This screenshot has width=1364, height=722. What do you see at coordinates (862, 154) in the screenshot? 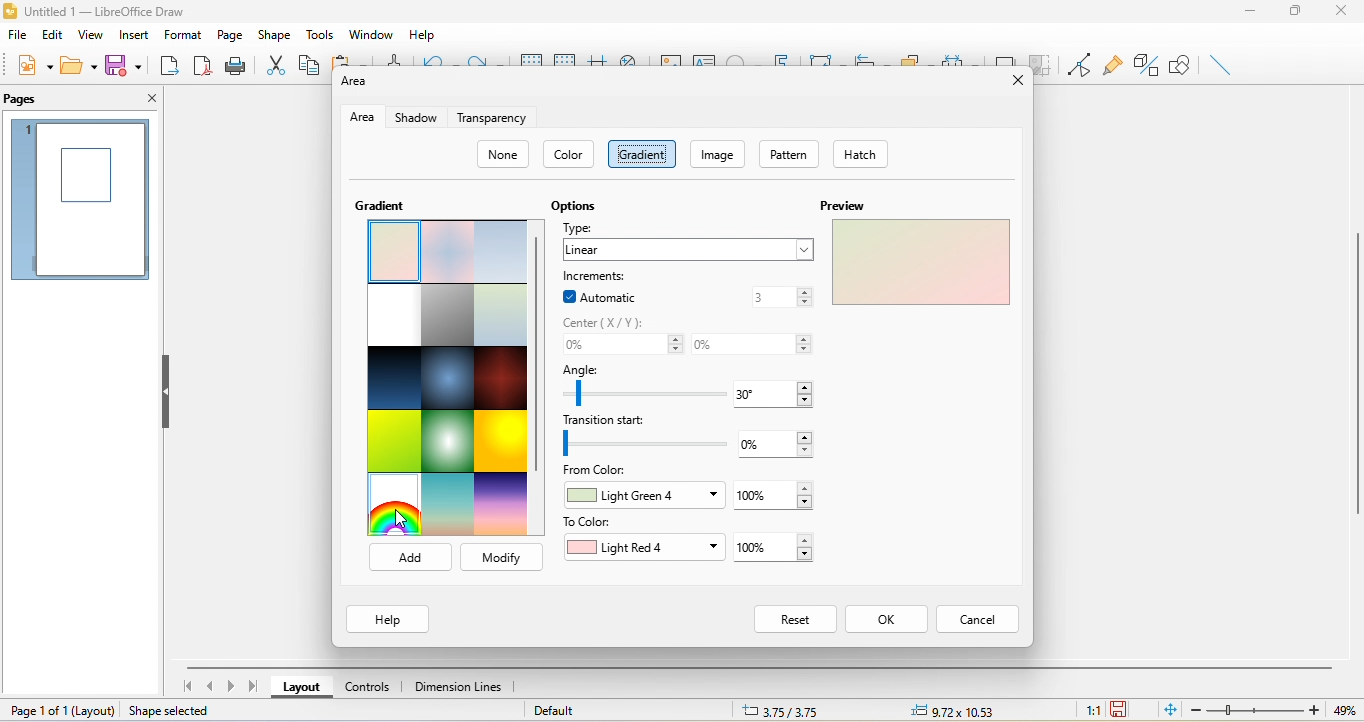
I see `hatch` at bounding box center [862, 154].